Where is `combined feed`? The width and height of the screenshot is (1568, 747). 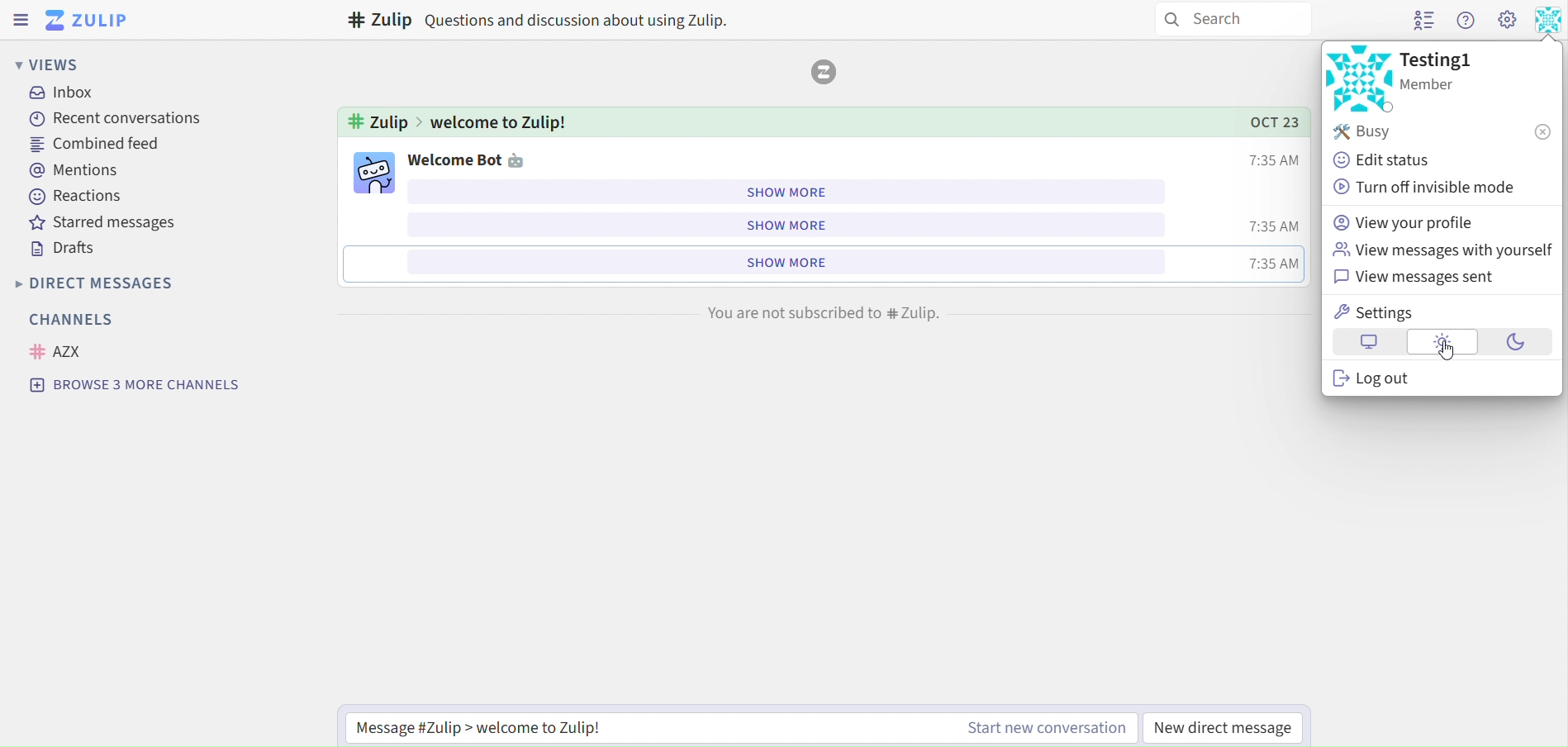 combined feed is located at coordinates (107, 145).